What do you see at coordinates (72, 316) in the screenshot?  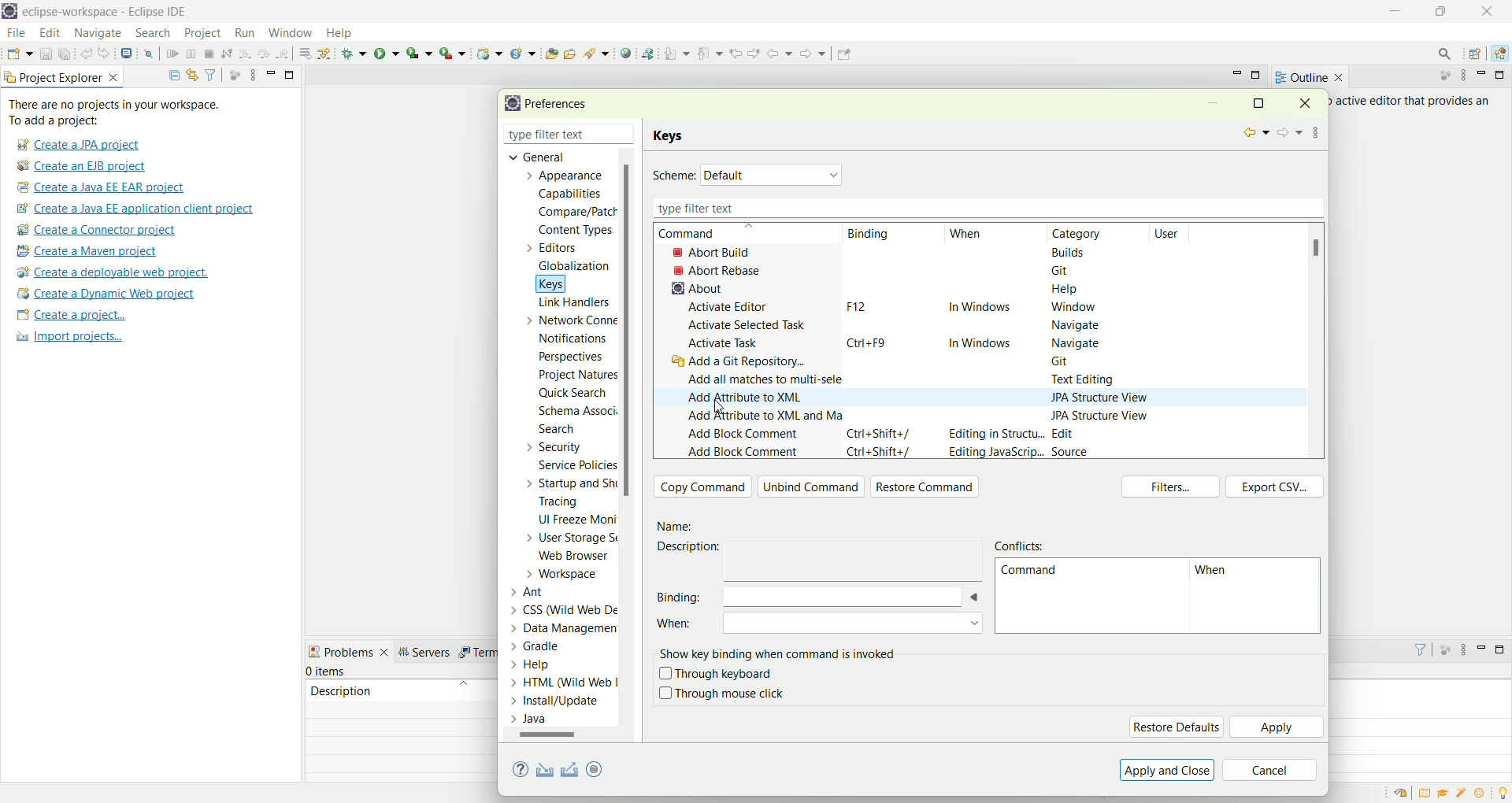 I see `create a project` at bounding box center [72, 316].